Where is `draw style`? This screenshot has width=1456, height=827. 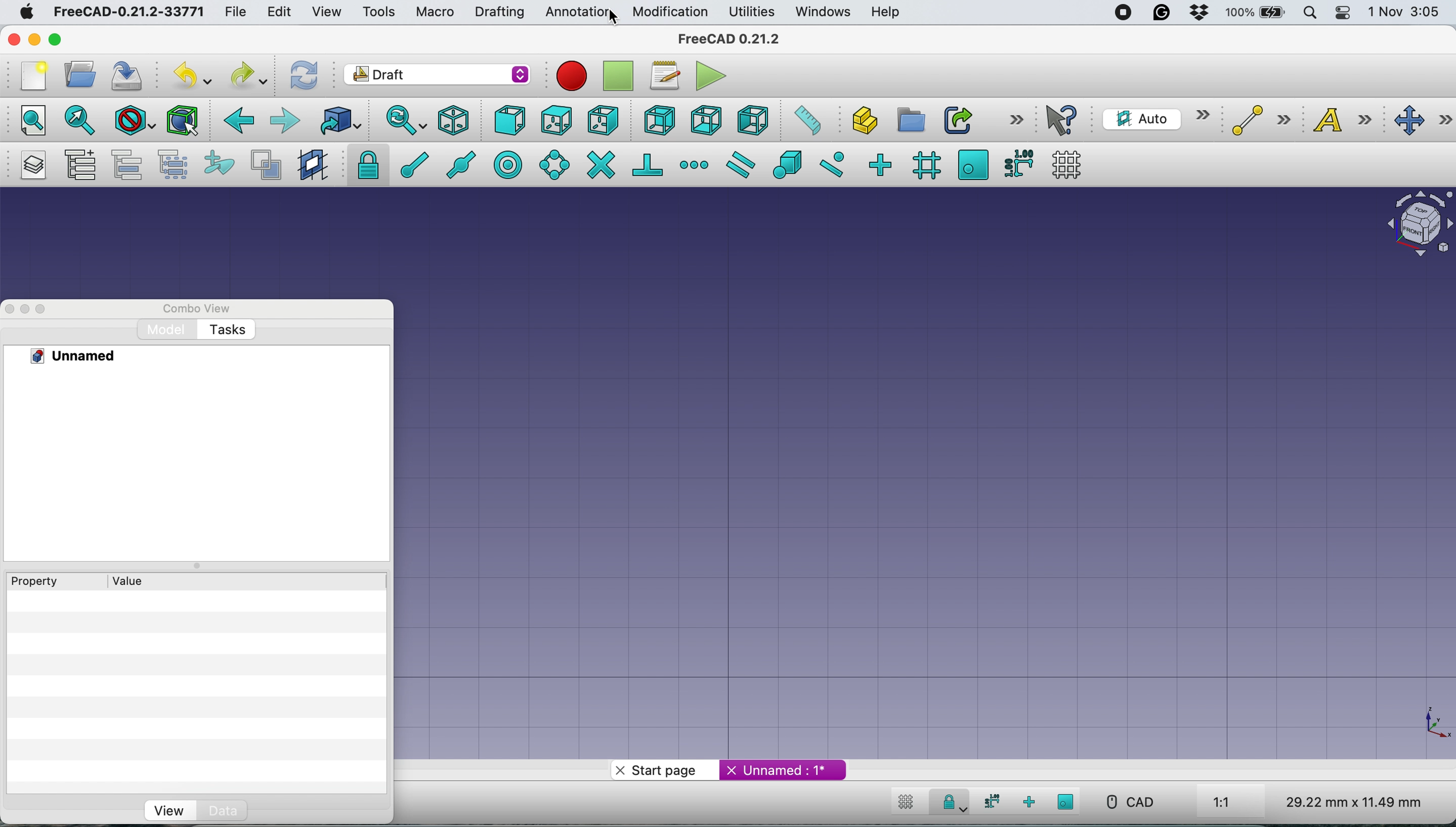
draw style is located at coordinates (134, 122).